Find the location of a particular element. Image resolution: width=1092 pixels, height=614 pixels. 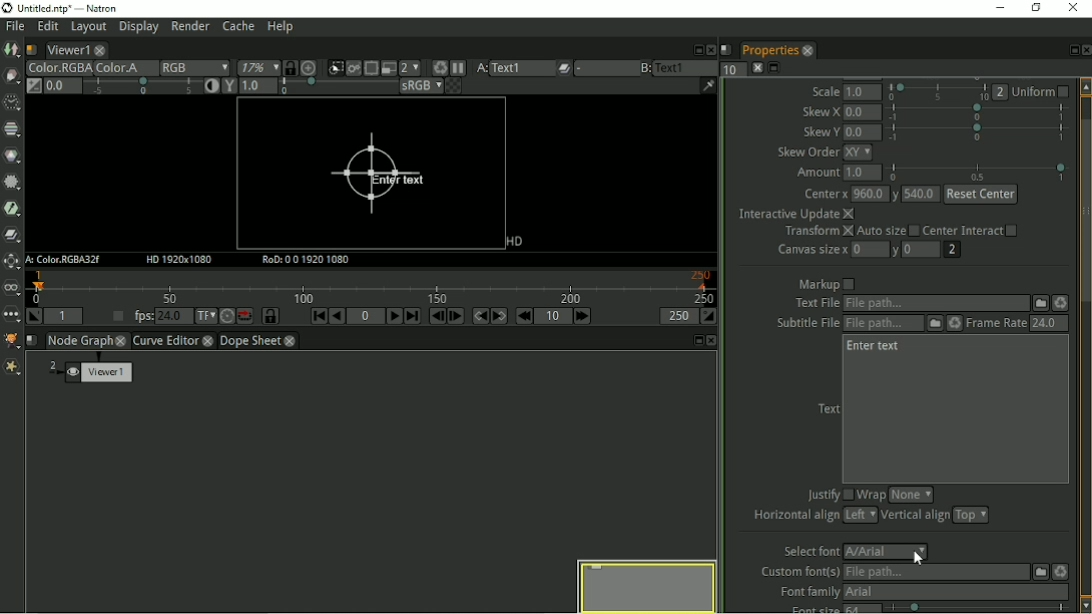

Maximum number of panels is located at coordinates (733, 69).